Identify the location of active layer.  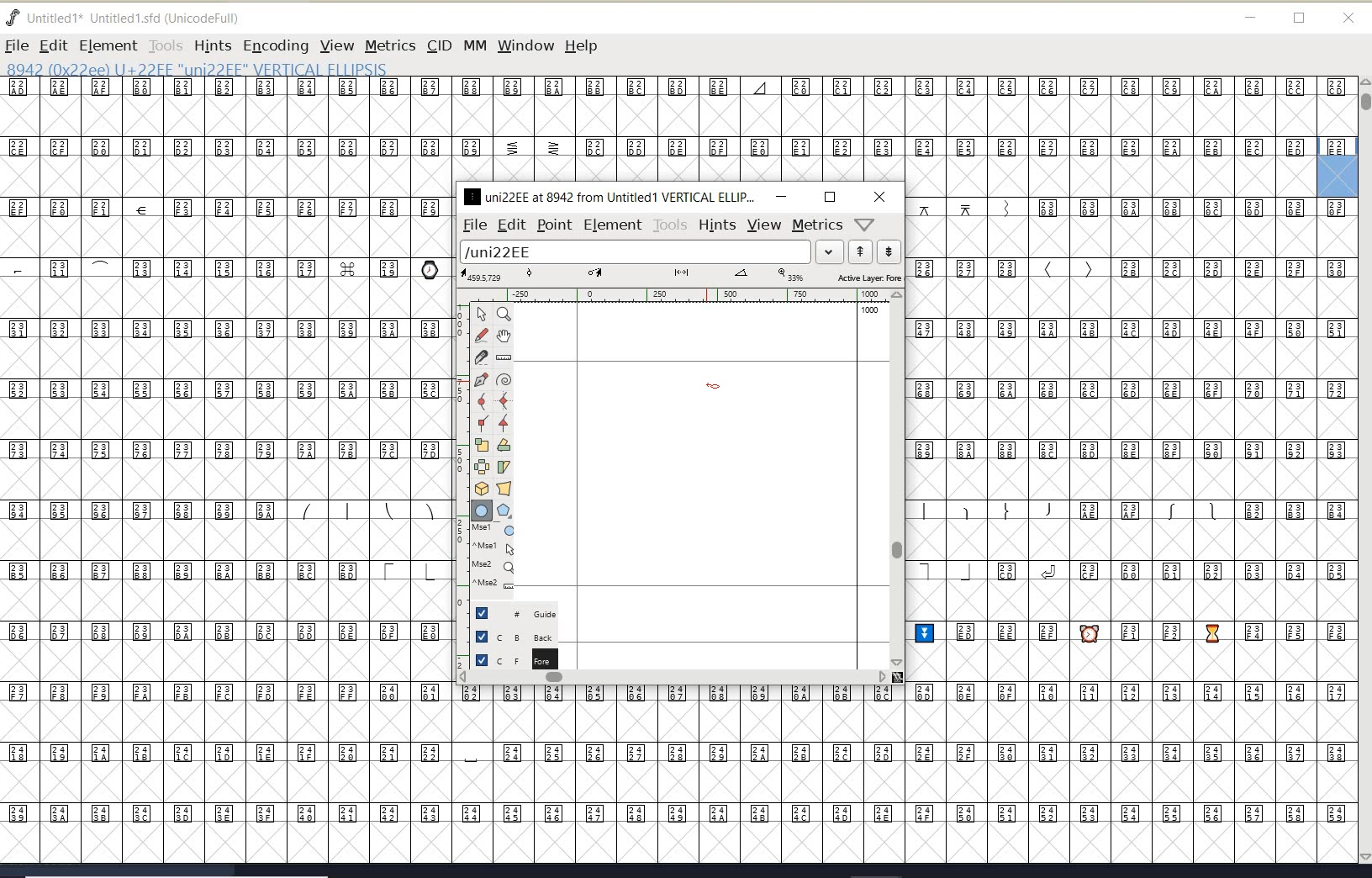
(682, 278).